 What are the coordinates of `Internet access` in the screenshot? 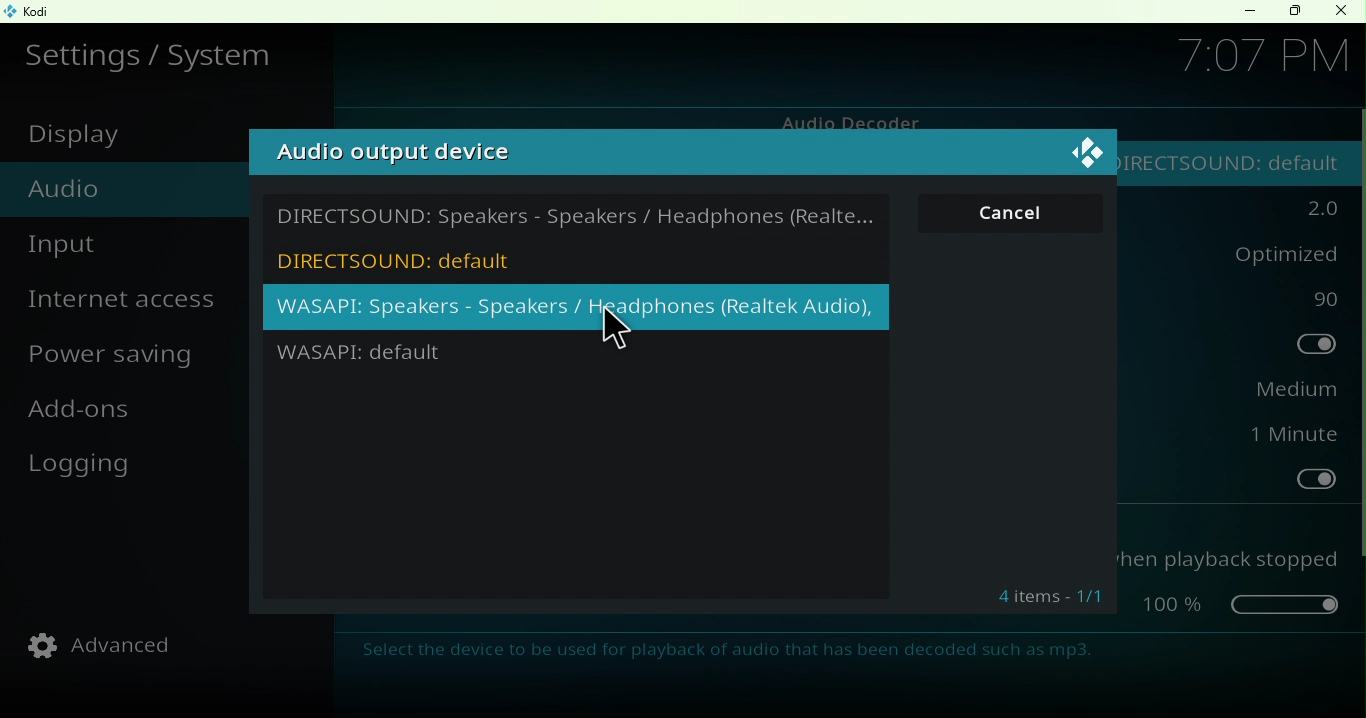 It's located at (118, 302).